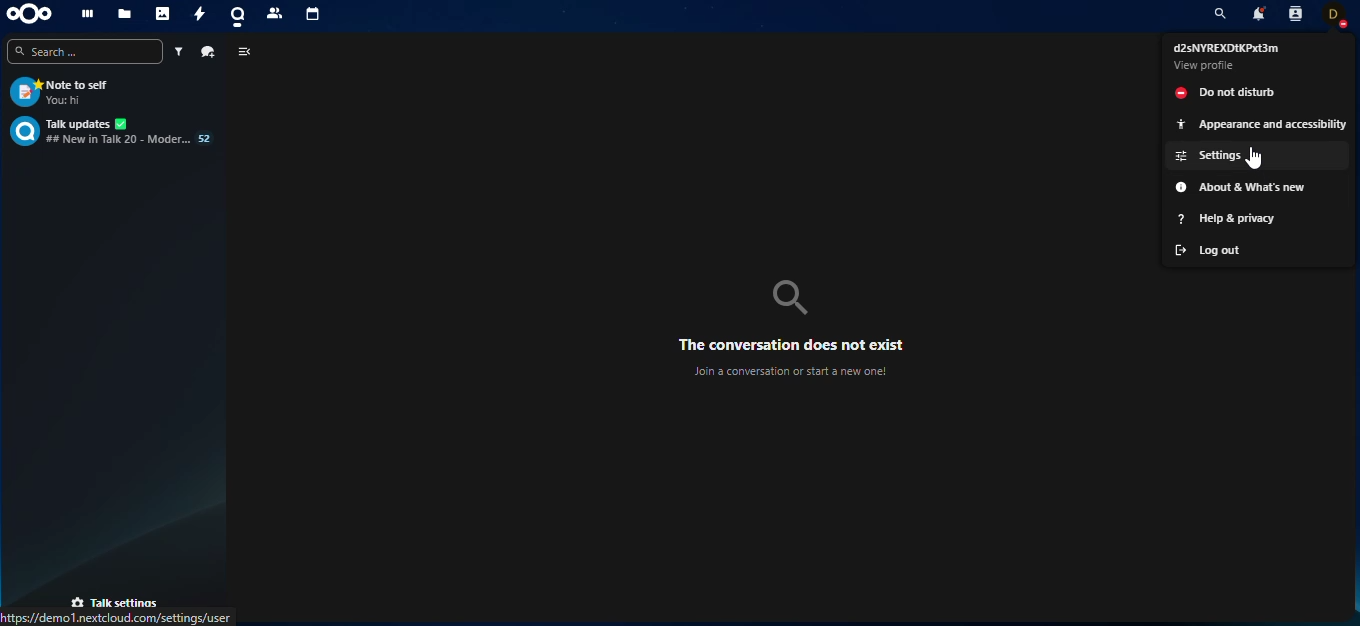 The width and height of the screenshot is (1360, 626). Describe the element at coordinates (208, 52) in the screenshot. I see `new chat` at that location.